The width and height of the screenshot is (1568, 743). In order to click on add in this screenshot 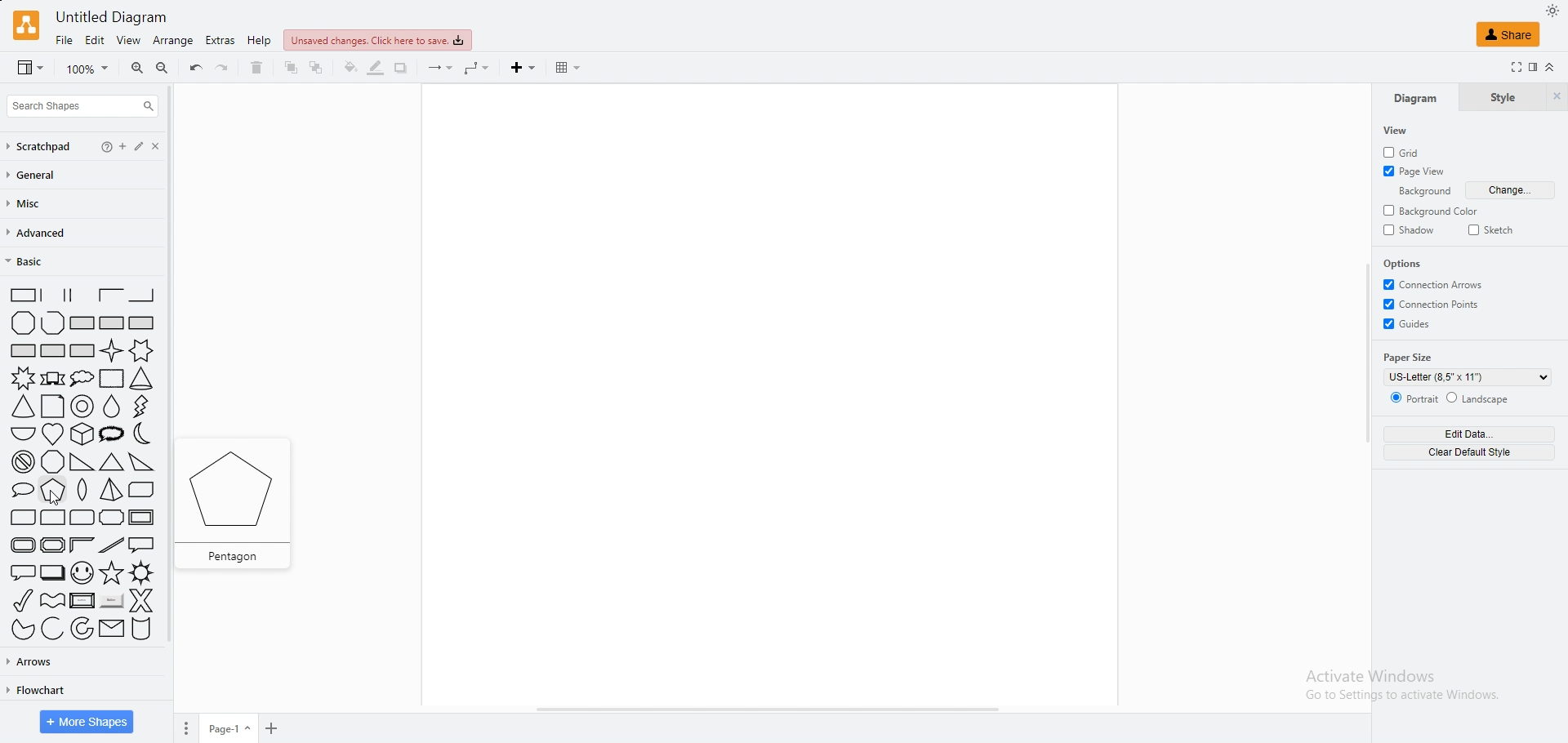, I will do `click(128, 146)`.